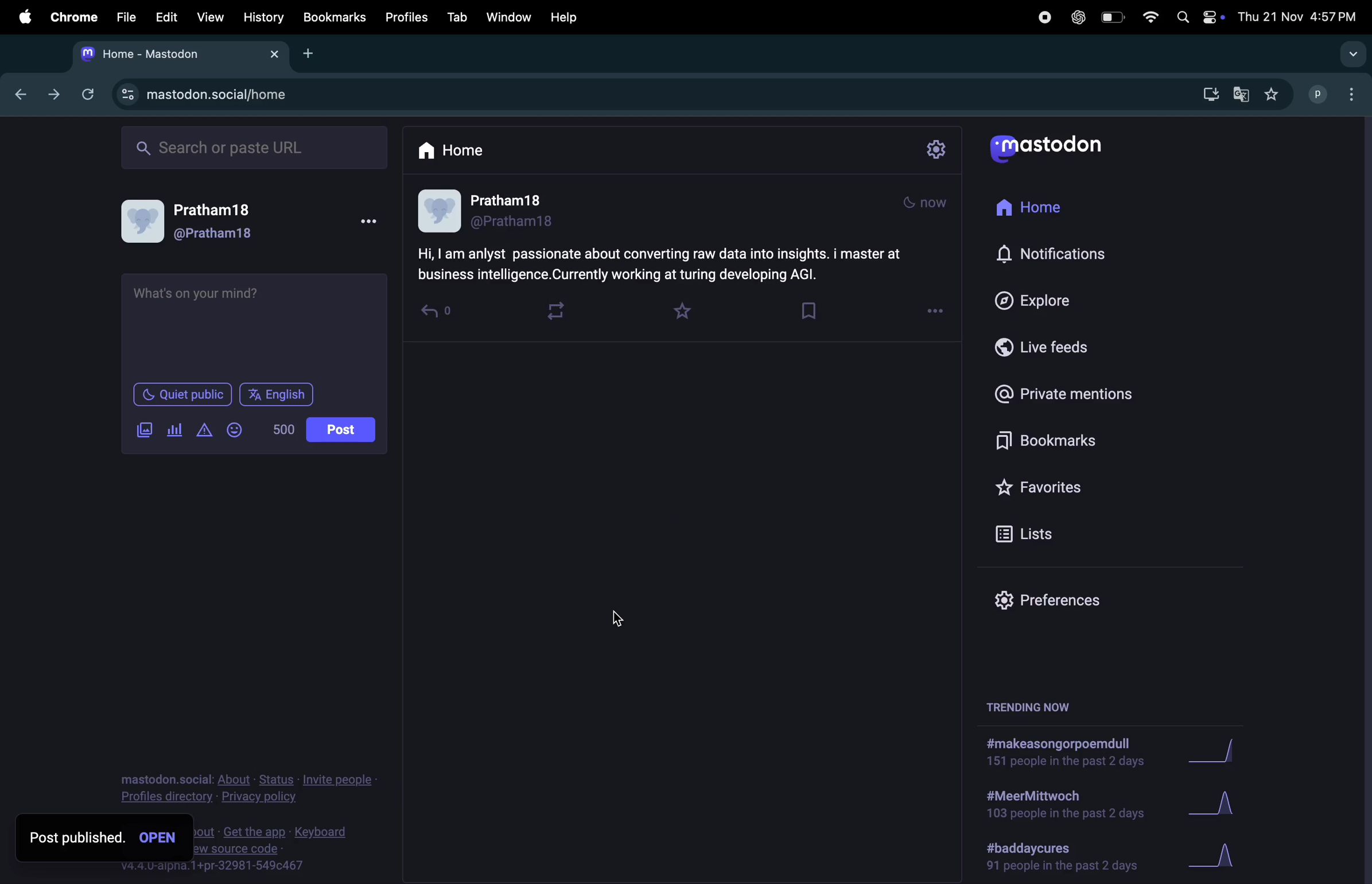  I want to click on favouited, so click(1276, 94).